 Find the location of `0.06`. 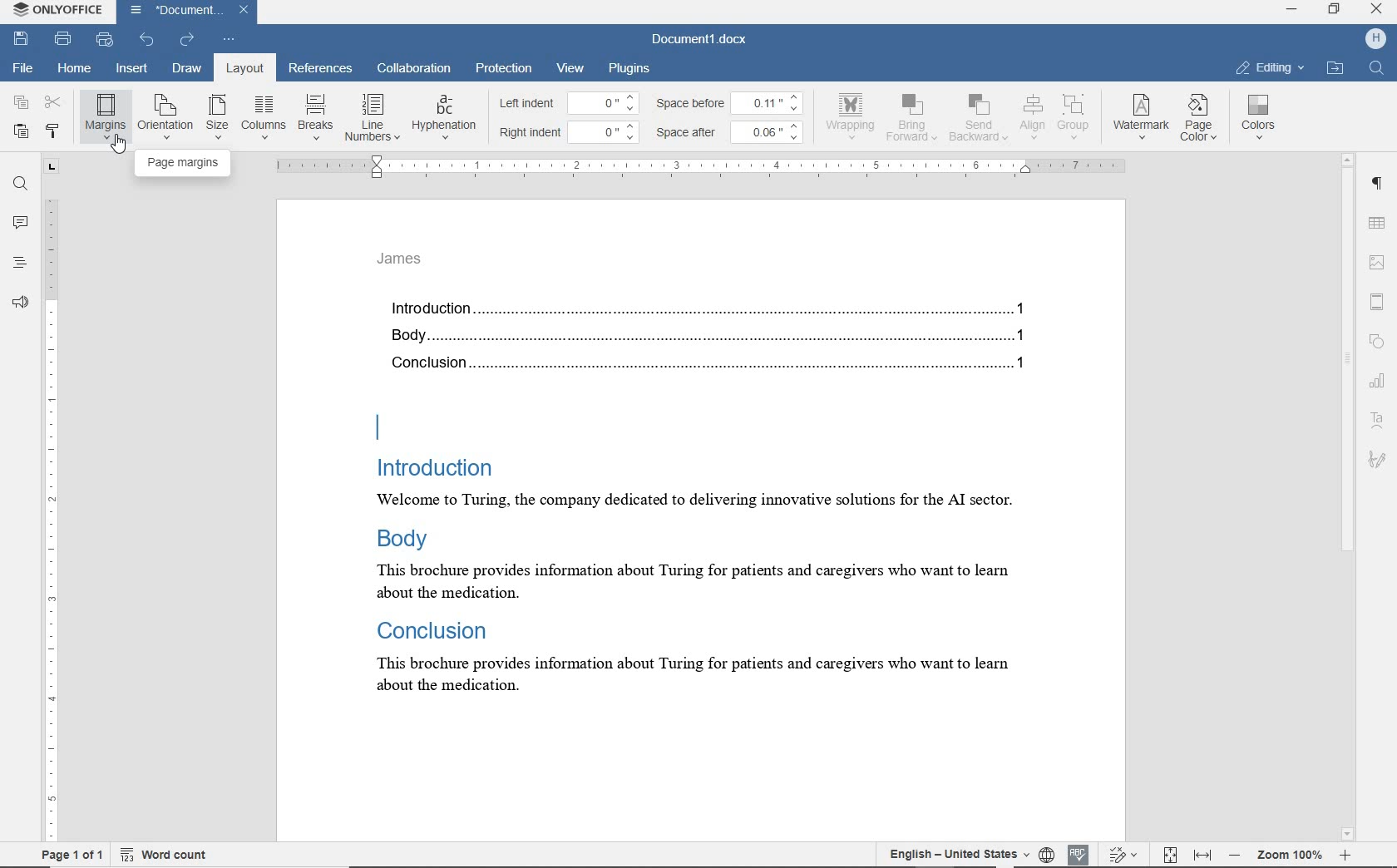

0.06 is located at coordinates (771, 131).